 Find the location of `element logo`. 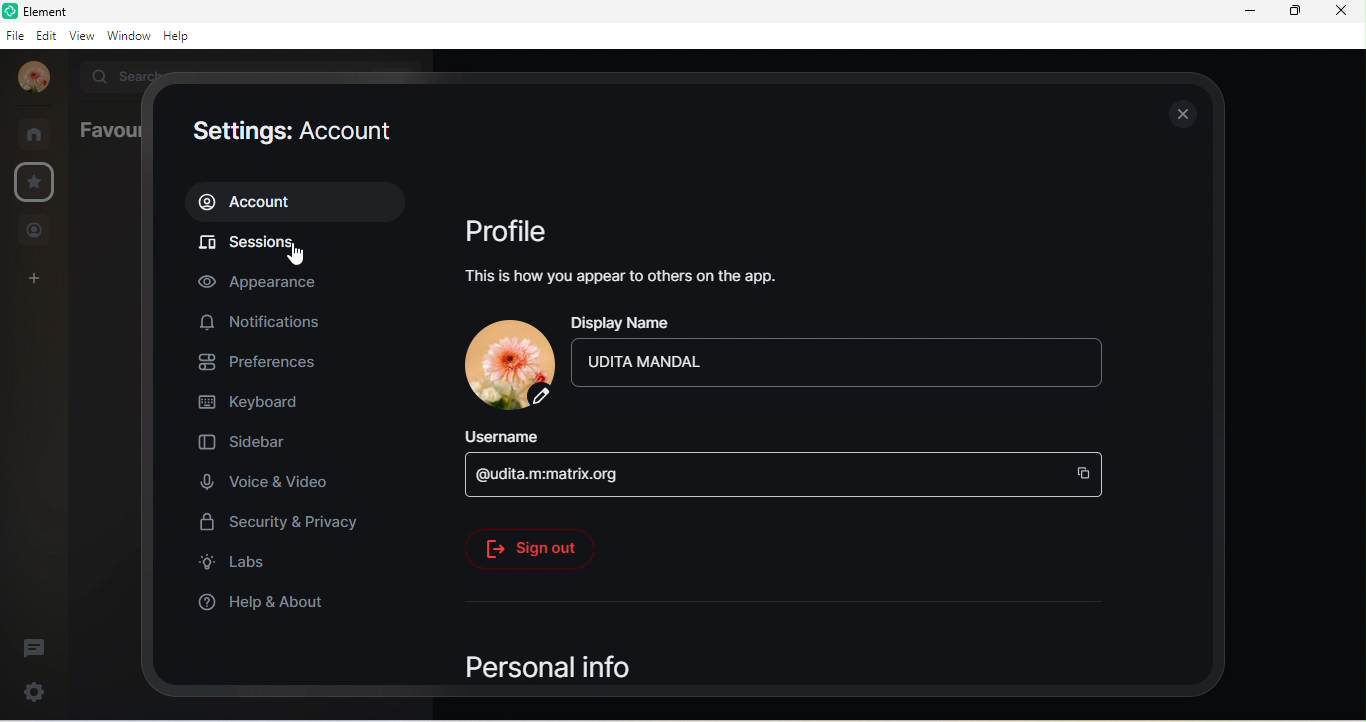

element logo is located at coordinates (10, 11).